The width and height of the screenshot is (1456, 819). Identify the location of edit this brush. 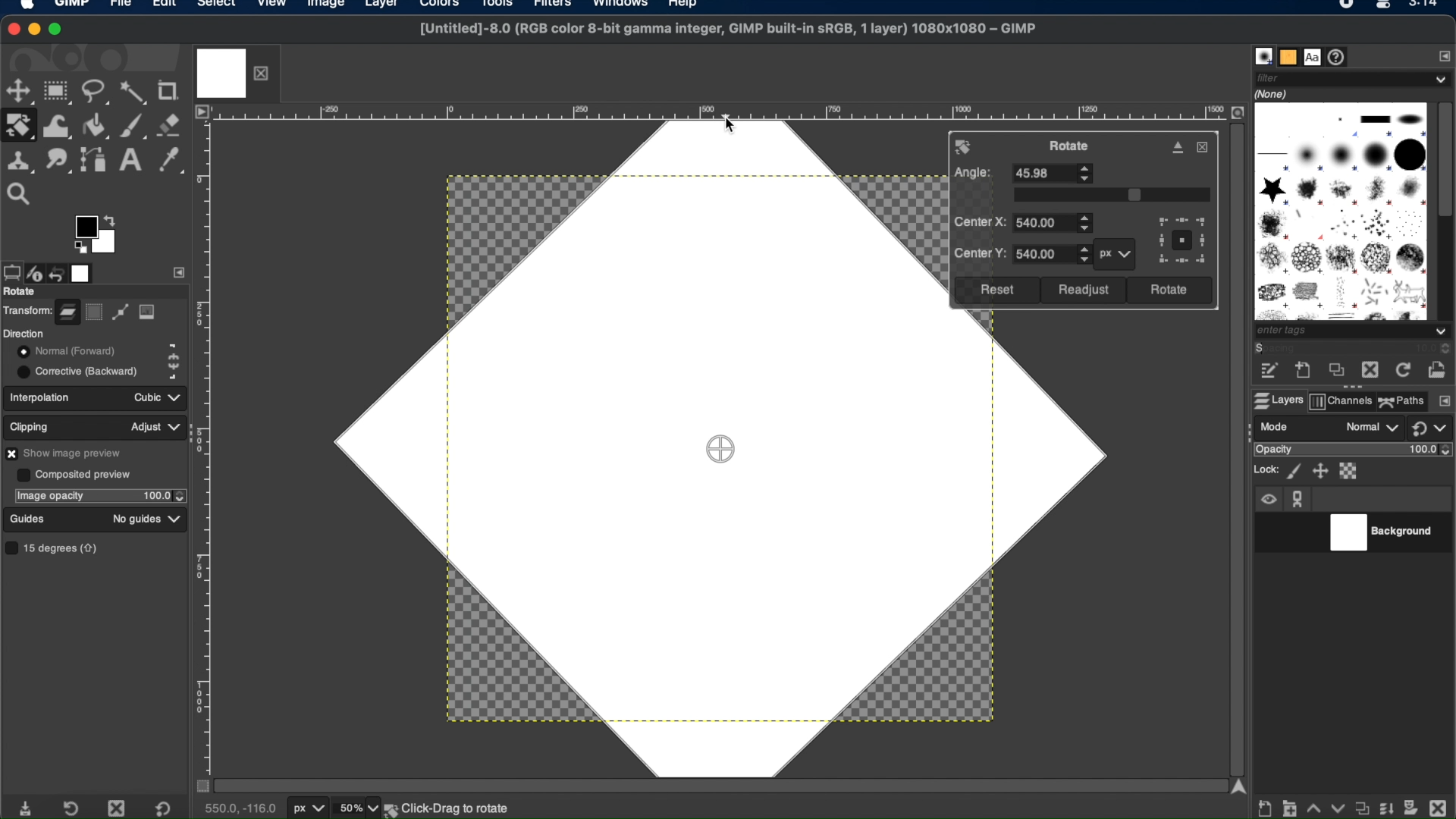
(1269, 372).